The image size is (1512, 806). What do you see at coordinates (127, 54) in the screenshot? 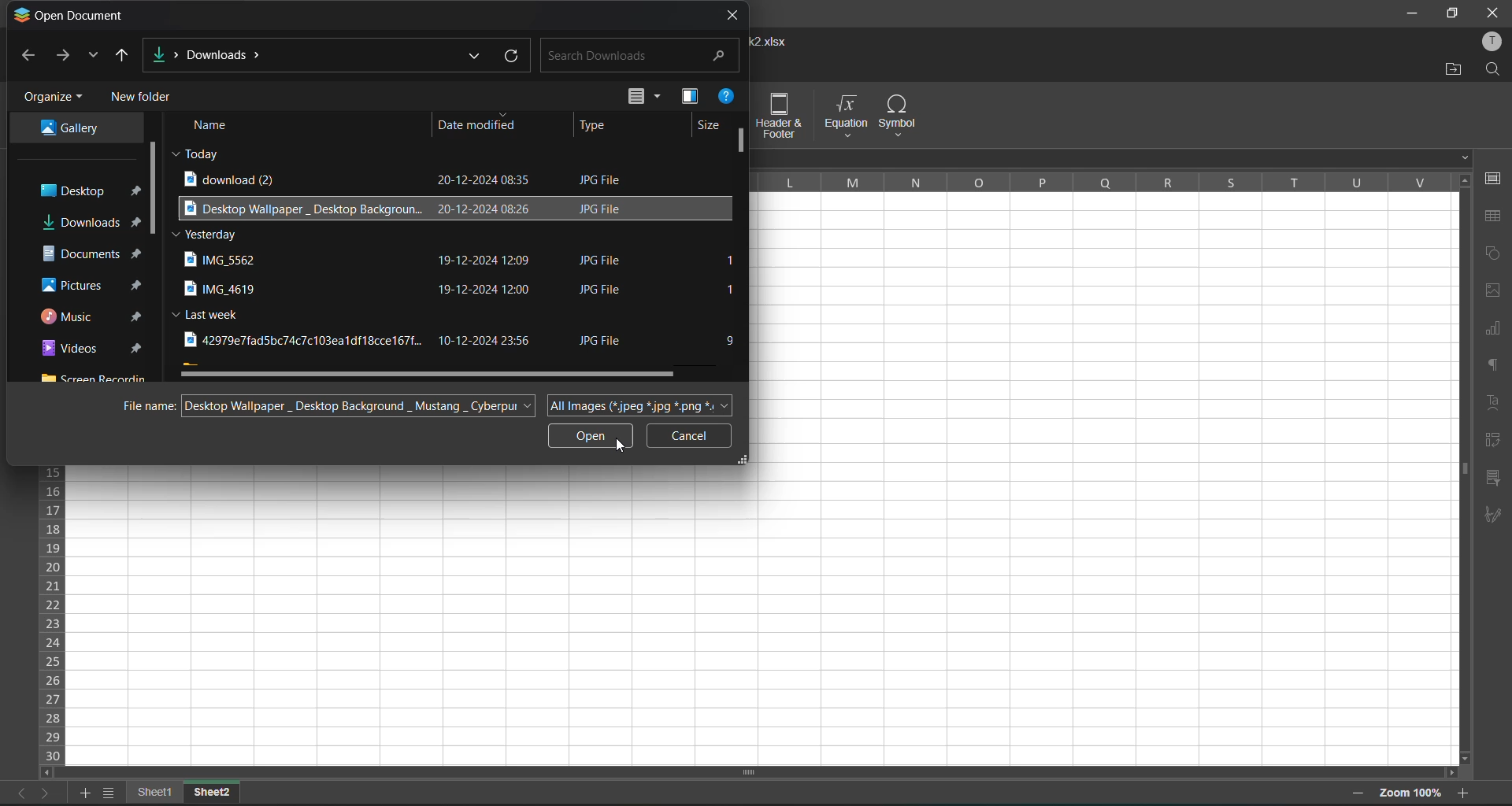
I see `up to desktop` at bounding box center [127, 54].